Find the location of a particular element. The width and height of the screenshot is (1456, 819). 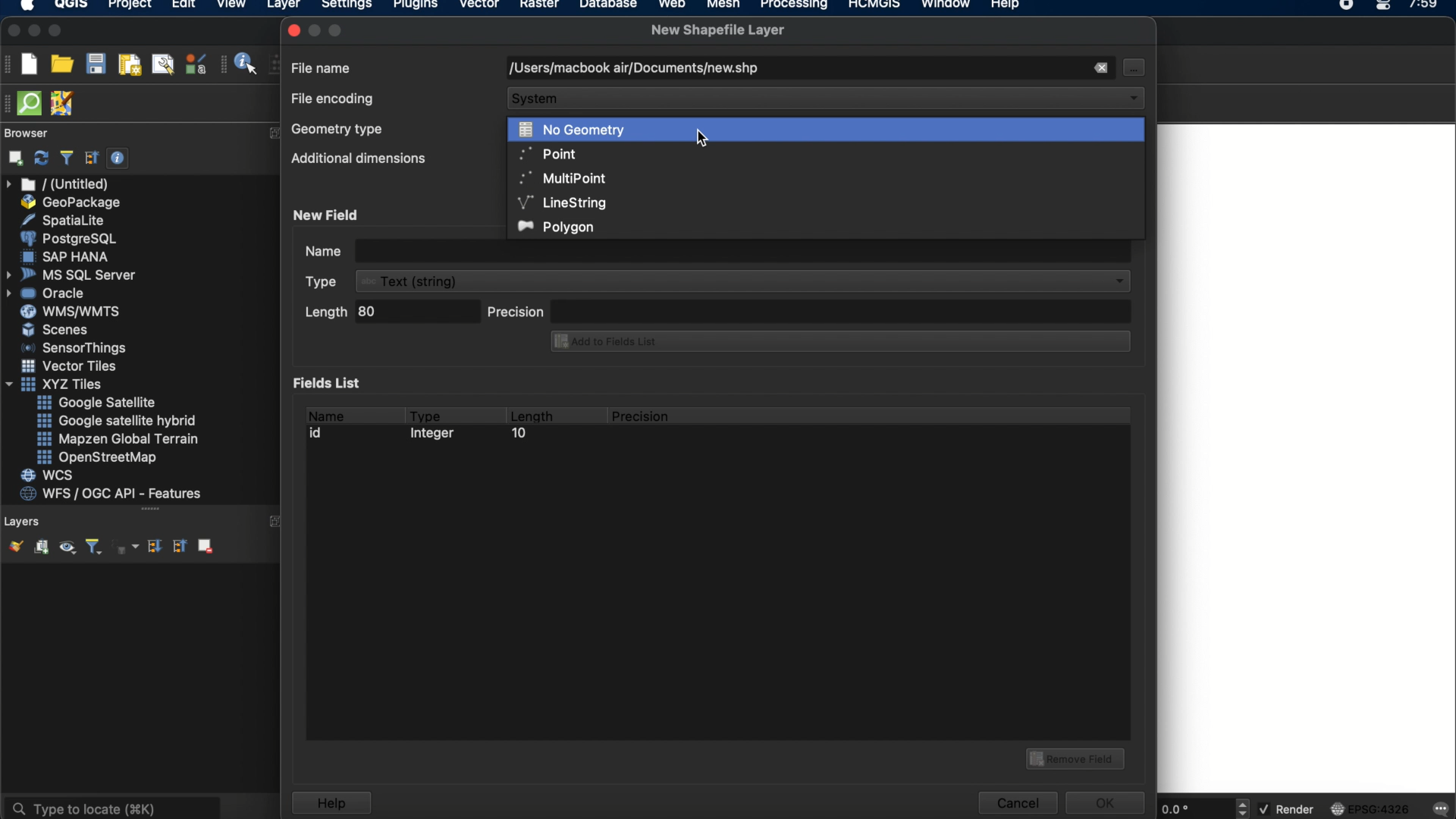

mesh is located at coordinates (723, 6).